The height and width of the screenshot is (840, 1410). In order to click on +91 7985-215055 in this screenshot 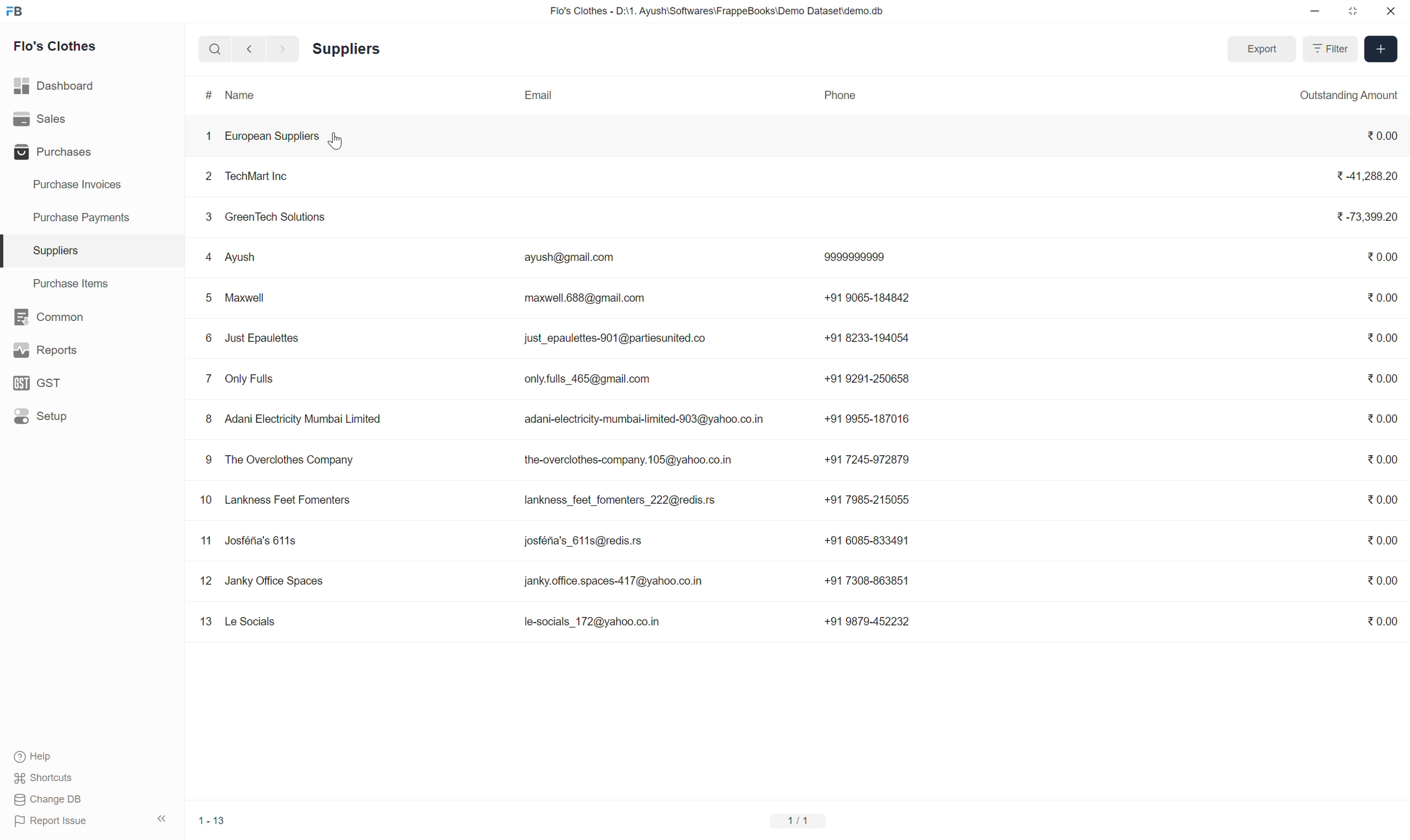, I will do `click(861, 502)`.